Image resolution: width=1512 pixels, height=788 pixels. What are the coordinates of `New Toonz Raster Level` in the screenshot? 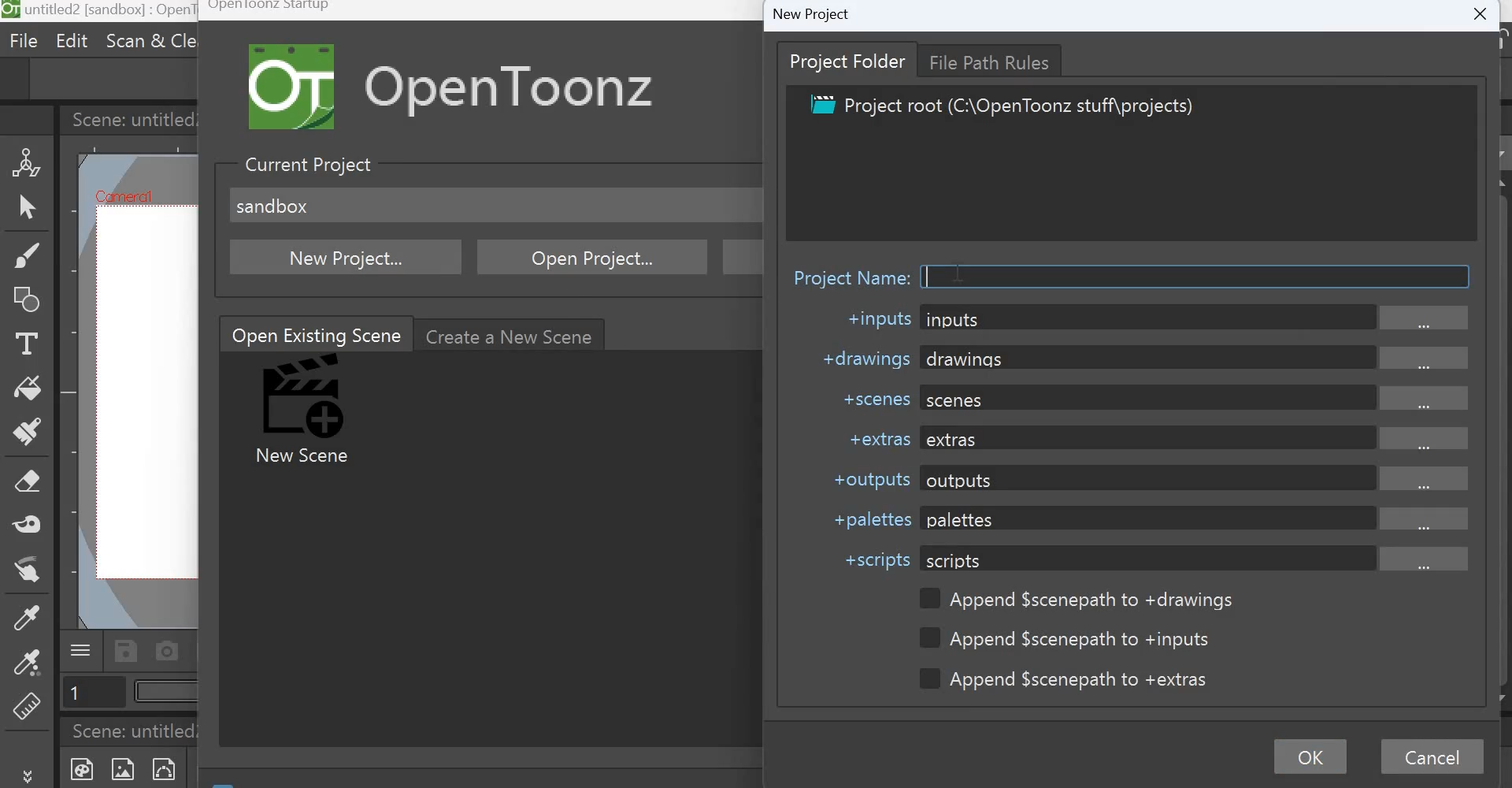 It's located at (80, 768).